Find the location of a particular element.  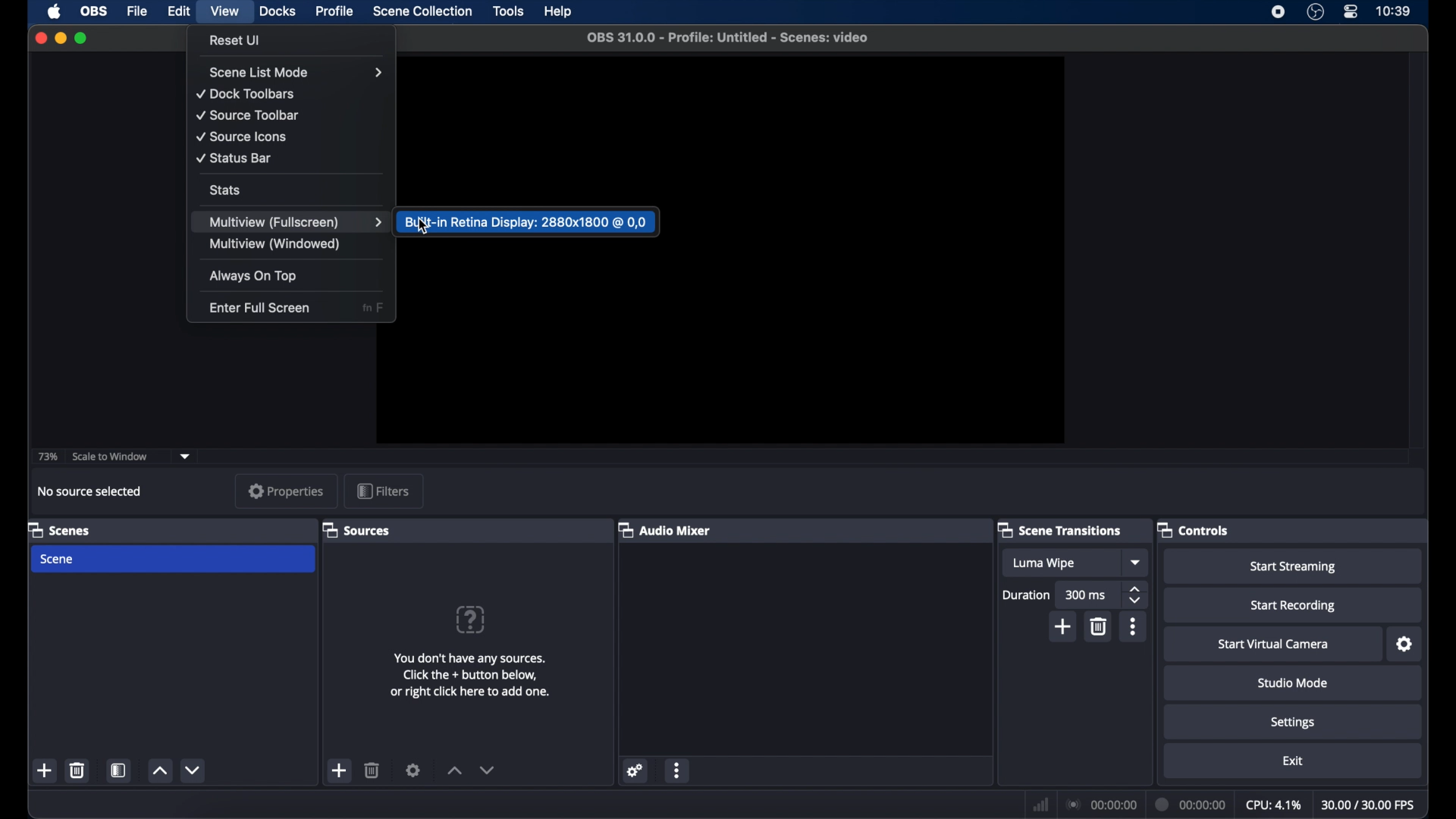

fn F is located at coordinates (375, 308).